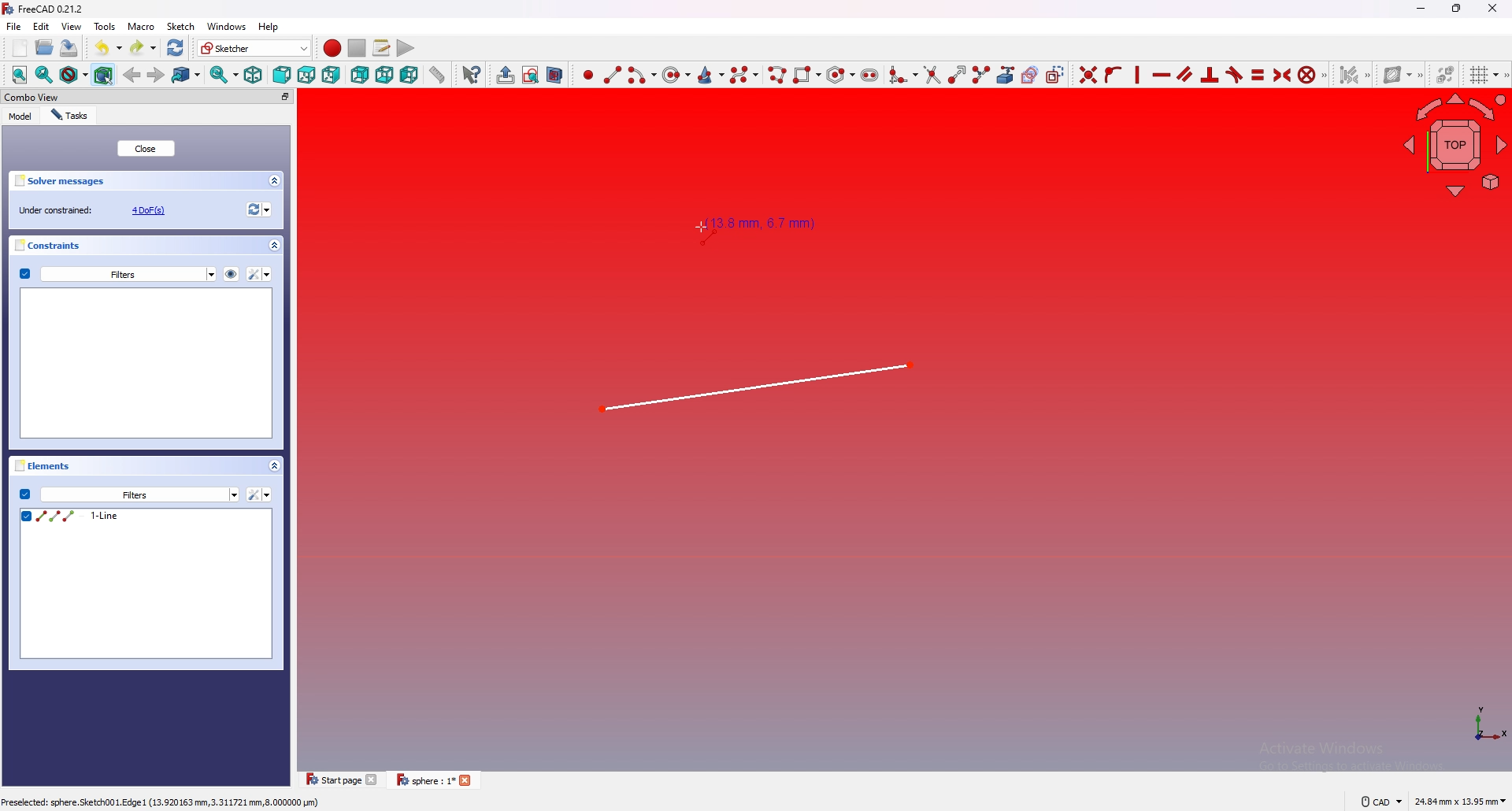 This screenshot has height=811, width=1512. Describe the element at coordinates (148, 98) in the screenshot. I see `Combo View` at that location.